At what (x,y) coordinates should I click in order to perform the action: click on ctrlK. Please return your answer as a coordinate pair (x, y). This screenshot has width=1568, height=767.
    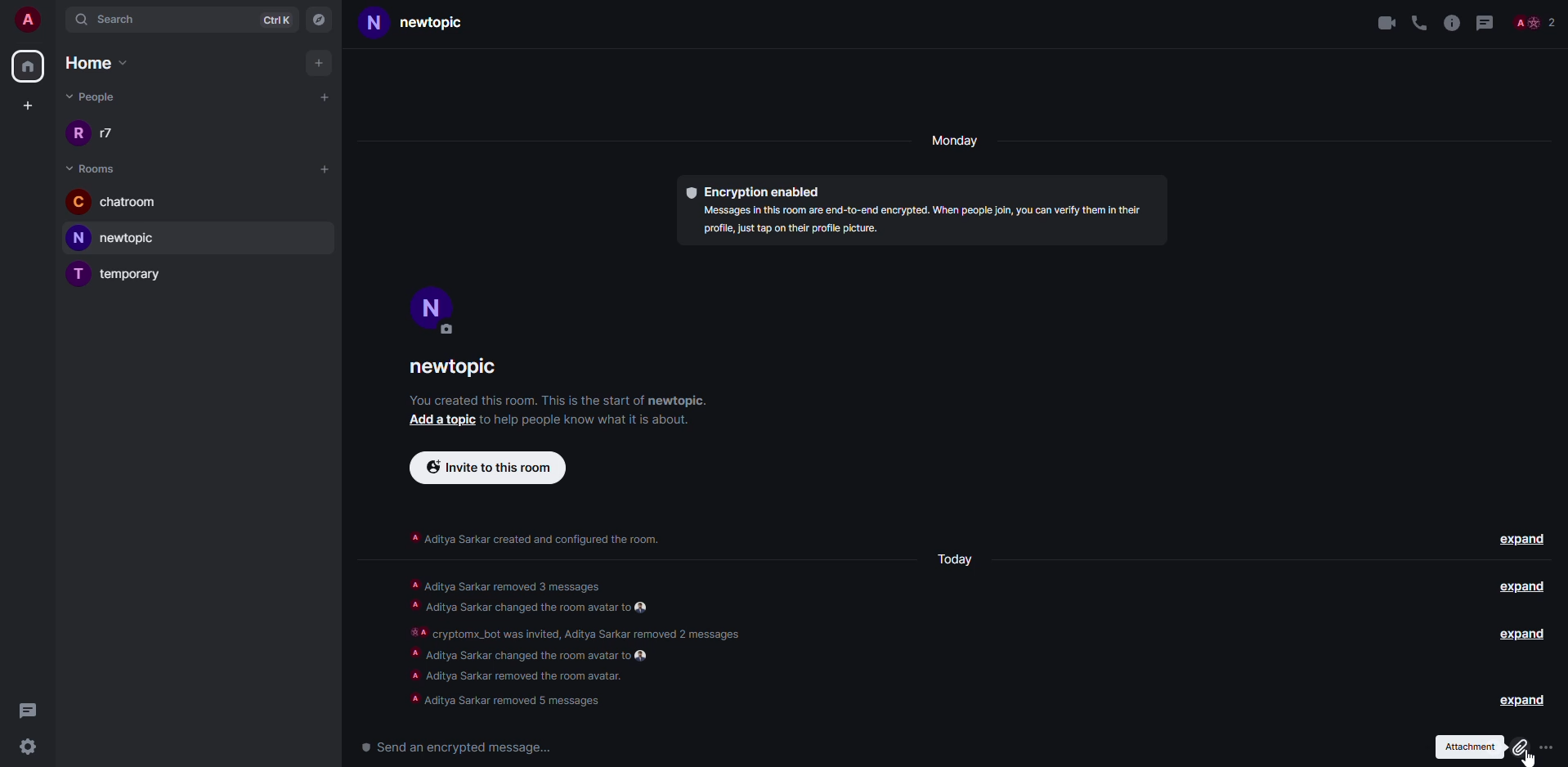
    Looking at the image, I should click on (279, 19).